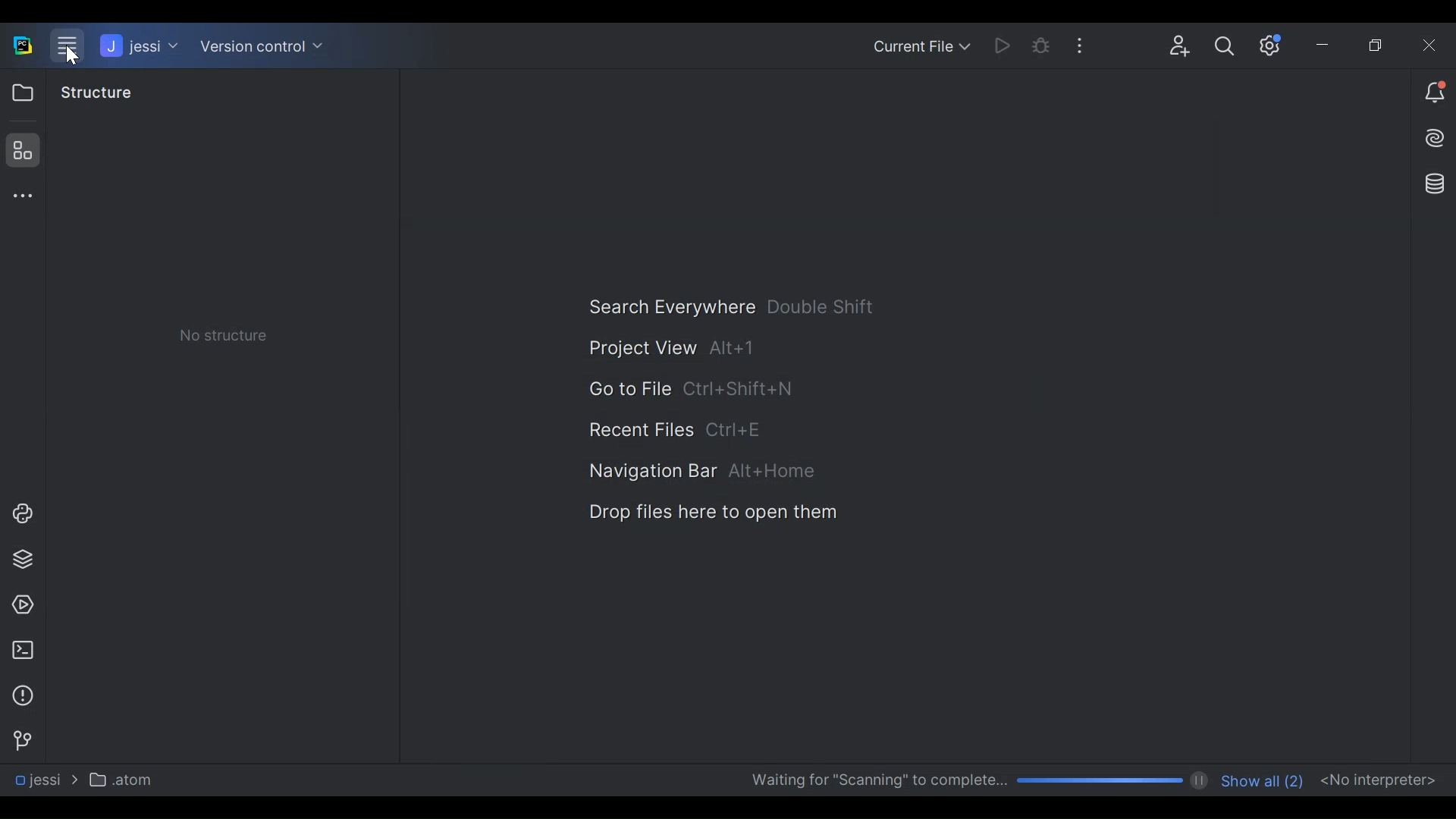  Describe the element at coordinates (20, 514) in the screenshot. I see `Project Console` at that location.